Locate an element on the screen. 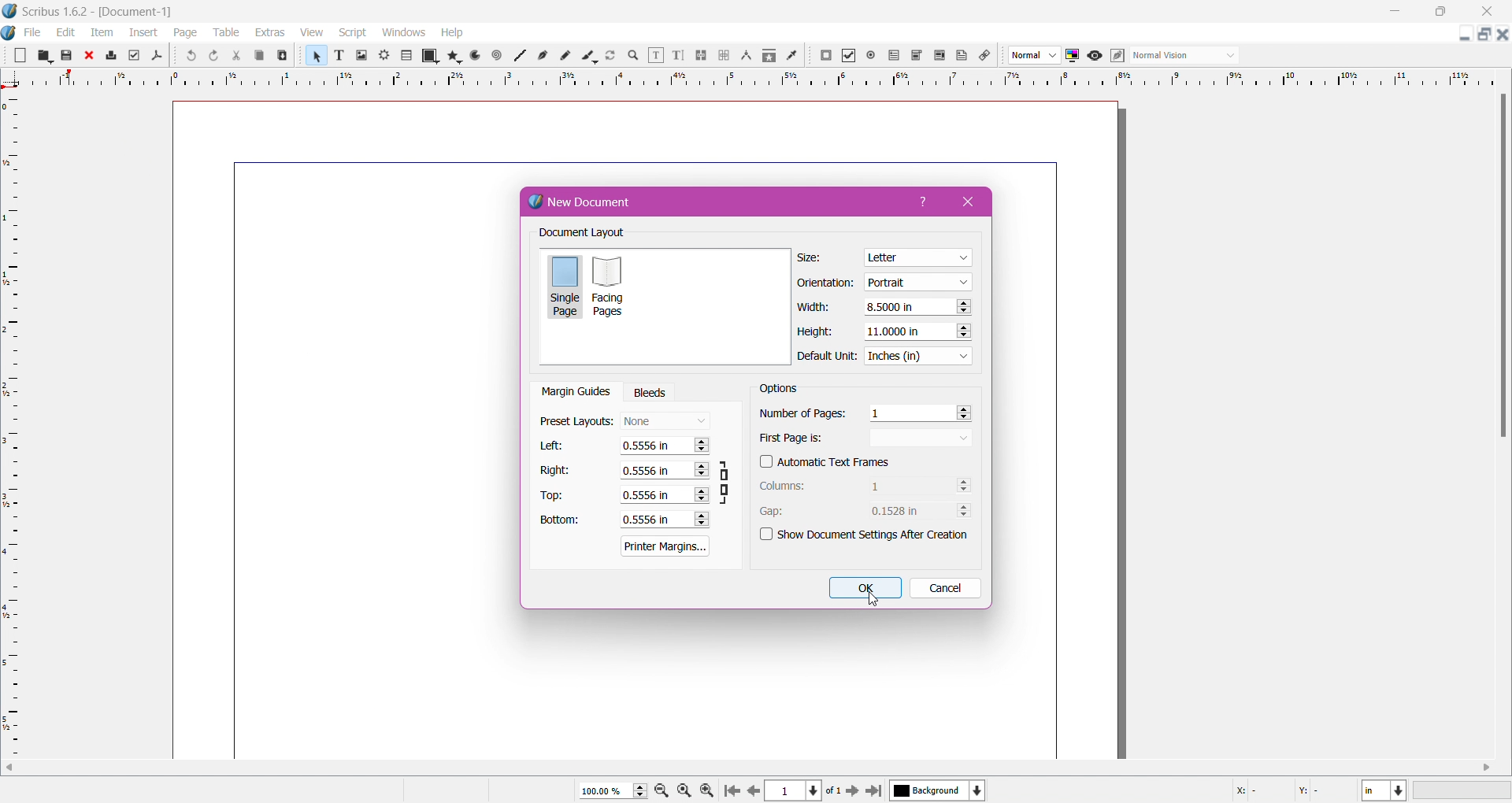  printer margins is located at coordinates (665, 545).